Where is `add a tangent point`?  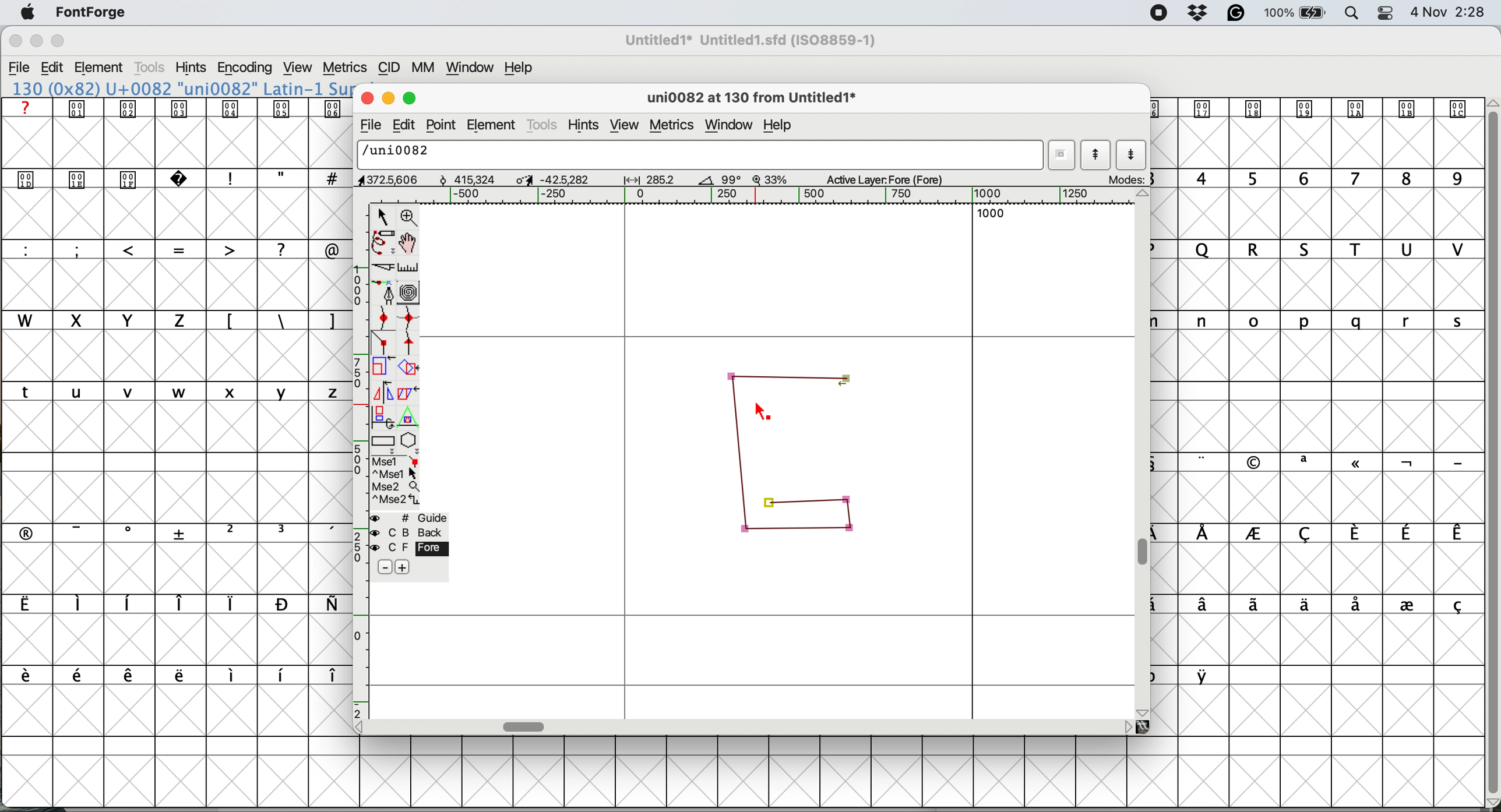
add a tangent point is located at coordinates (410, 343).